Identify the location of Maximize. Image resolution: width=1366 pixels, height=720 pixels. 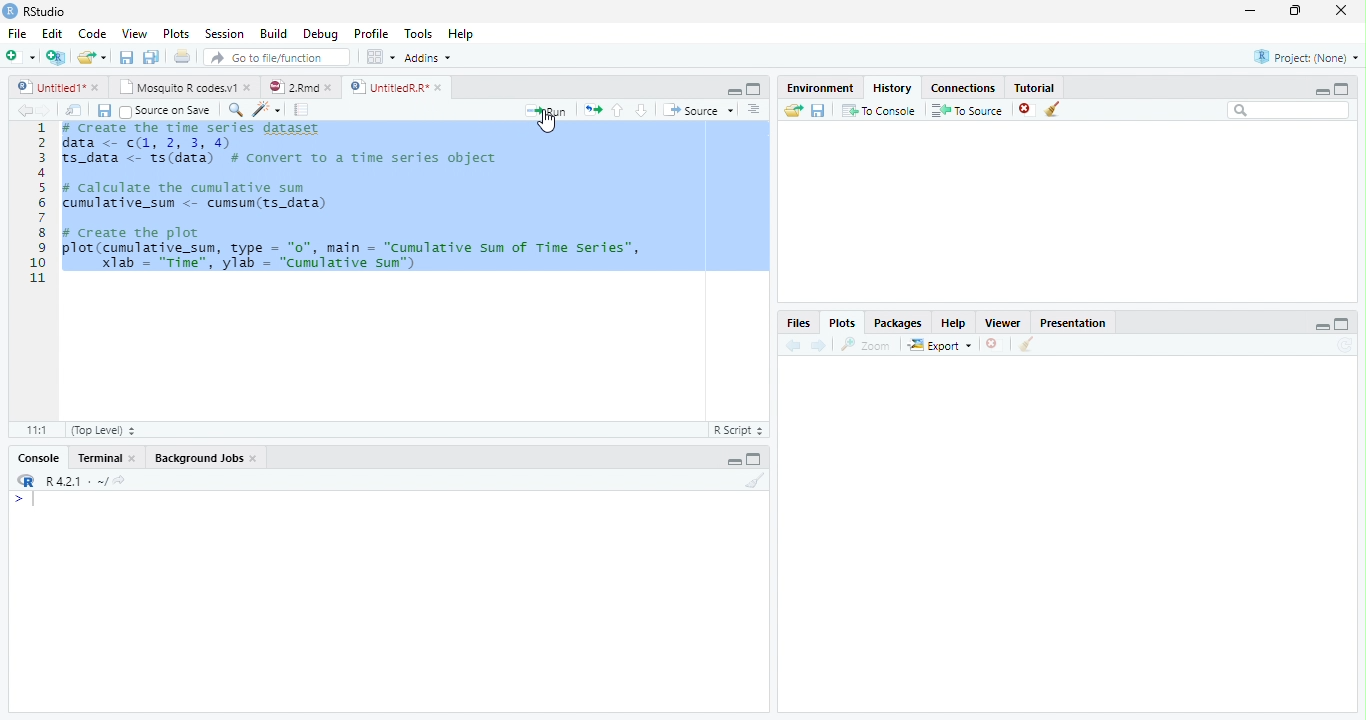
(1341, 325).